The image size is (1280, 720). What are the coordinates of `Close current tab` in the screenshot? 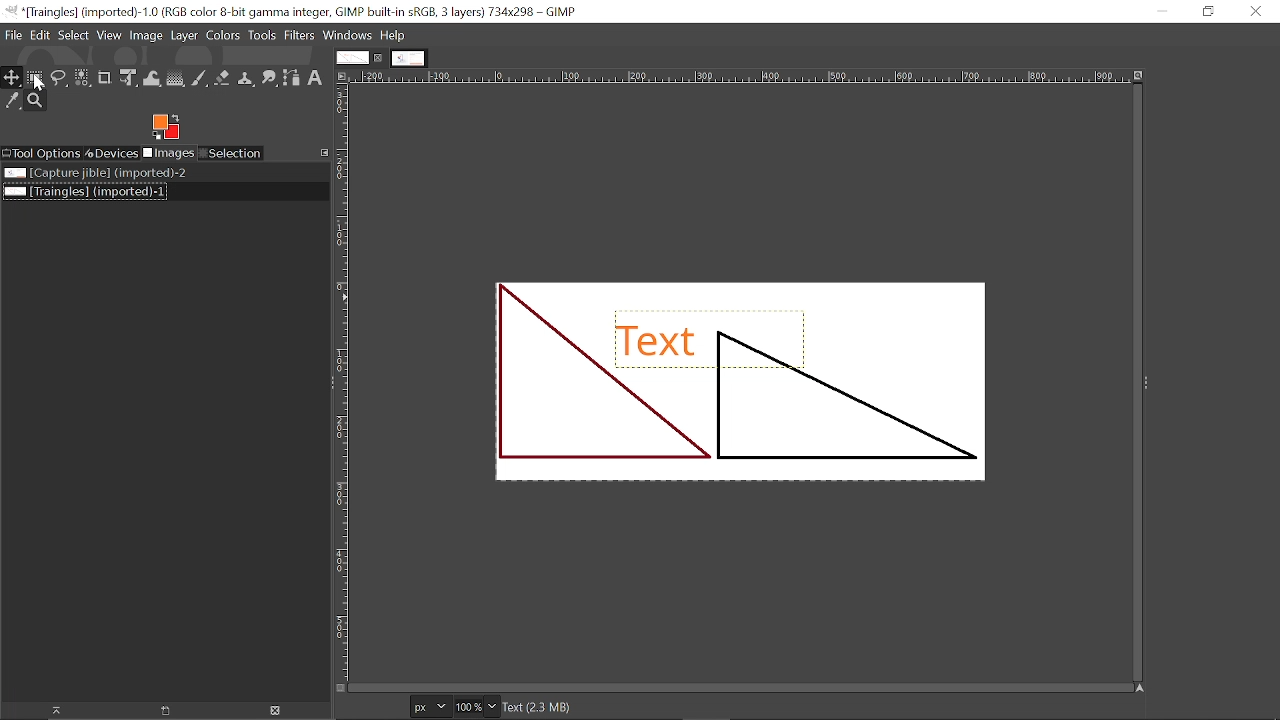 It's located at (379, 57).